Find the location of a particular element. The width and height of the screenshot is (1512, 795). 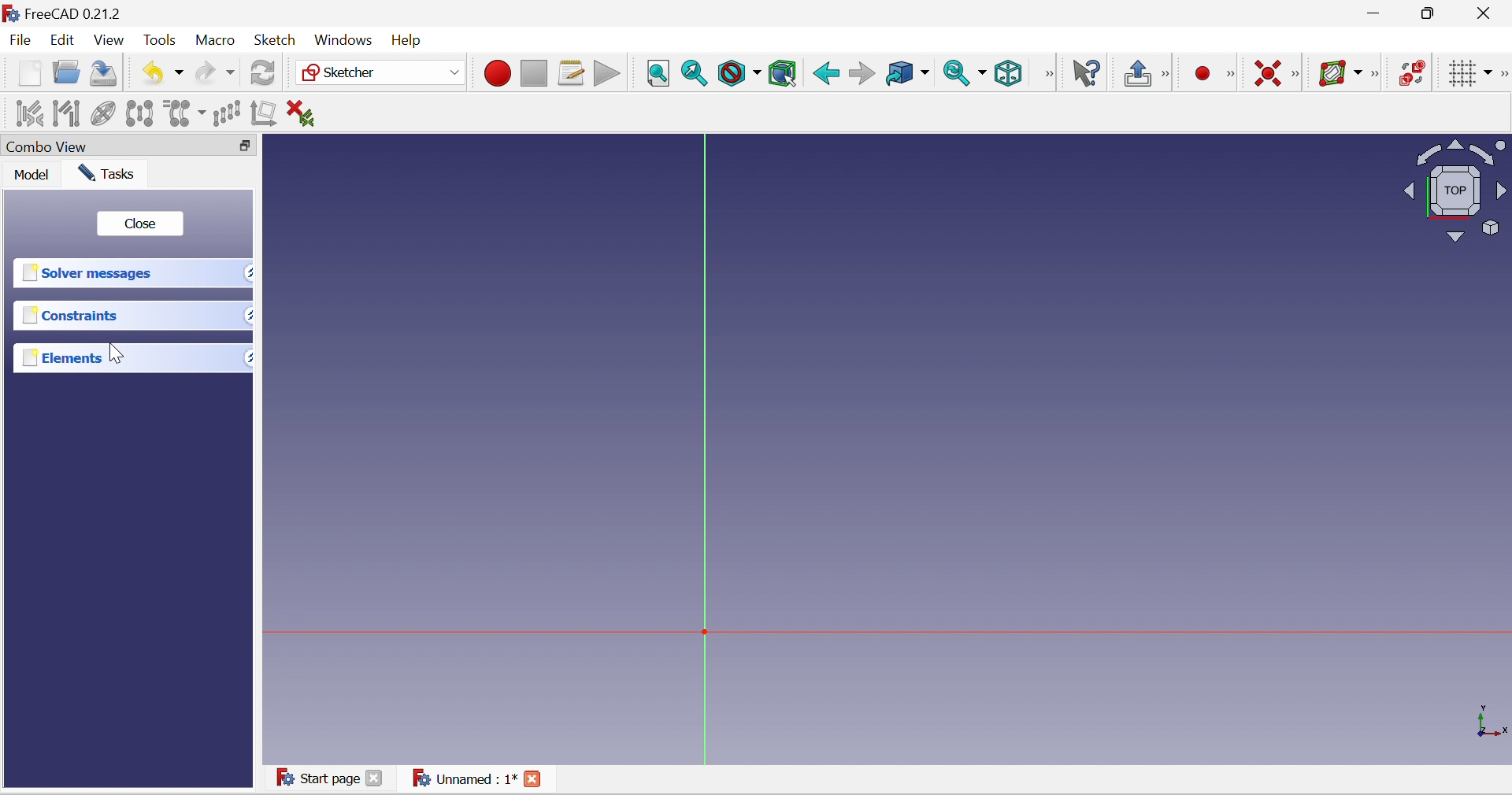

Sketcher B-spline tools is located at coordinates (1378, 74).